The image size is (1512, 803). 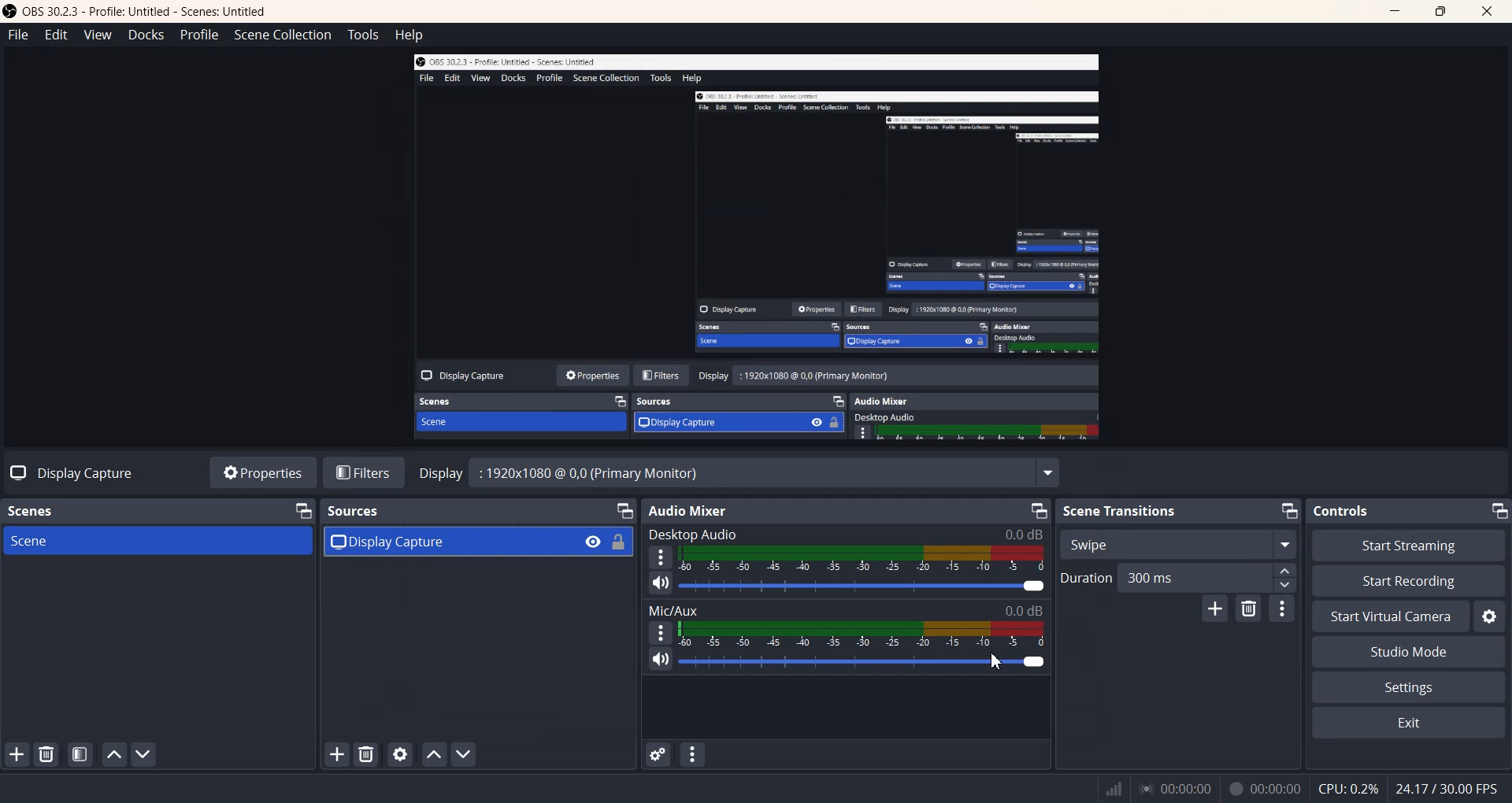 What do you see at coordinates (1249, 609) in the screenshot?
I see `Remove configurable Transition` at bounding box center [1249, 609].